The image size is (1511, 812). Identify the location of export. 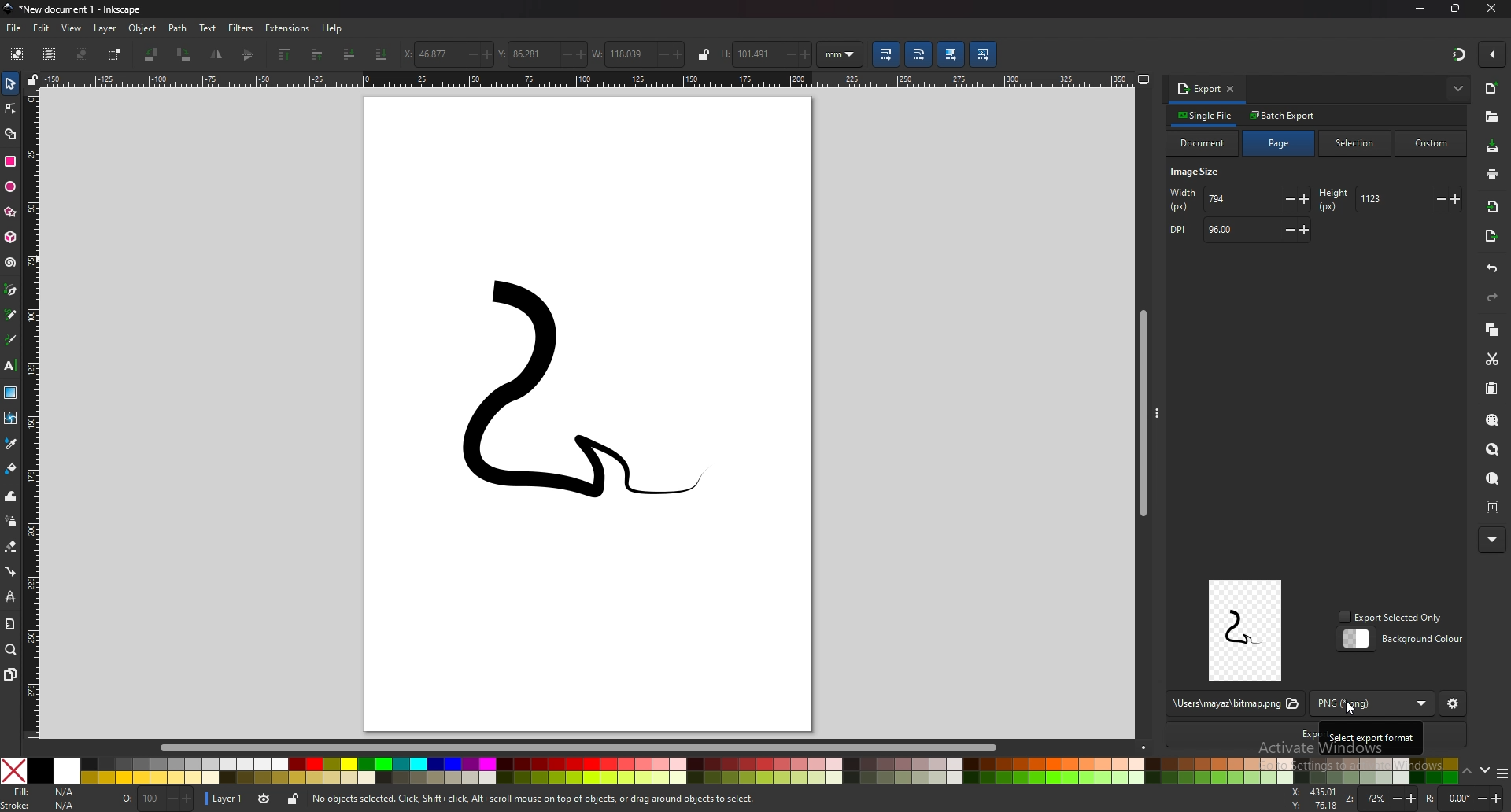
(1199, 88).